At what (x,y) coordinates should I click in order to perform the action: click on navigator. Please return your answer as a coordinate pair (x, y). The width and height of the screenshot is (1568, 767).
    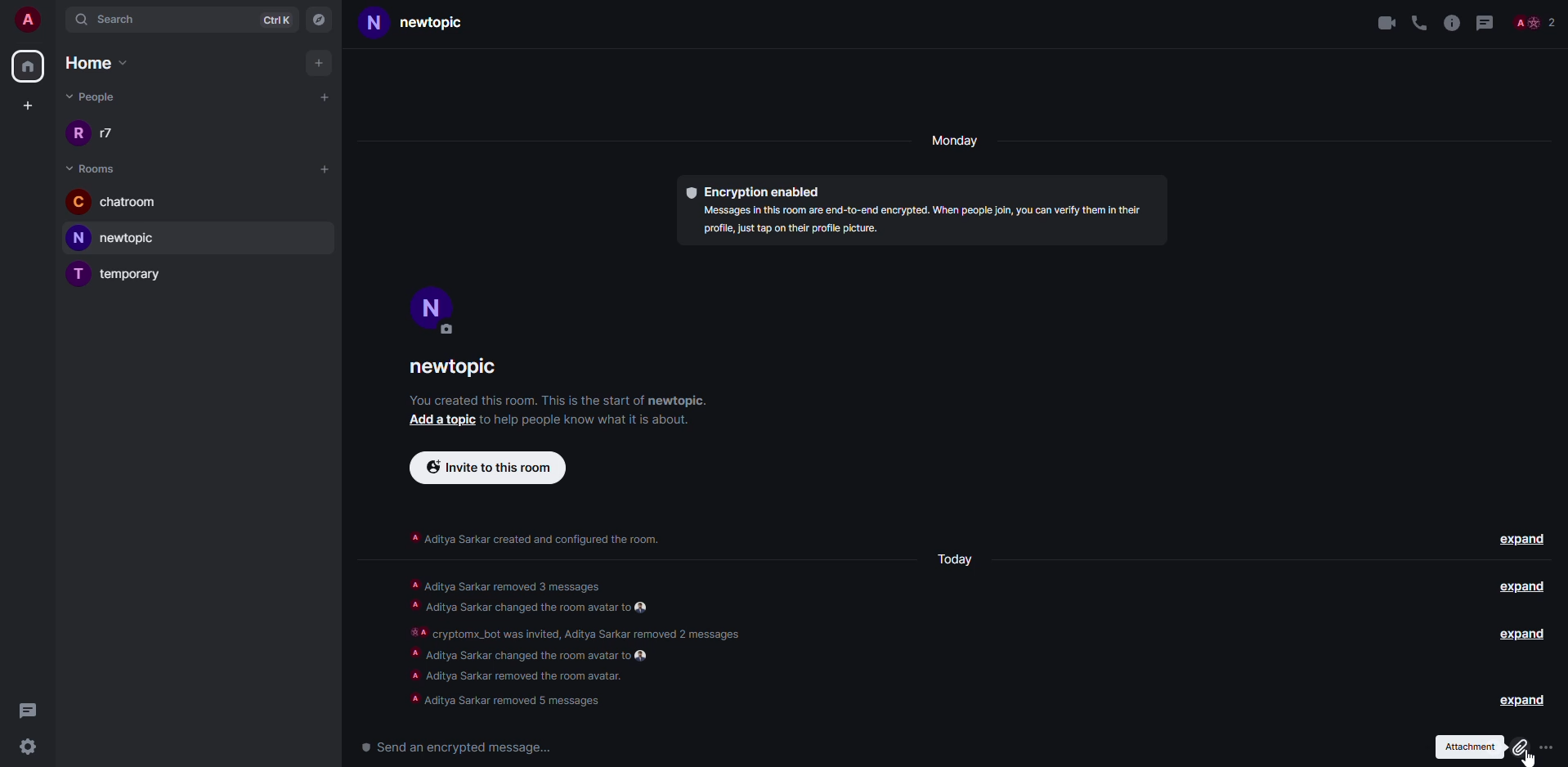
    Looking at the image, I should click on (323, 20).